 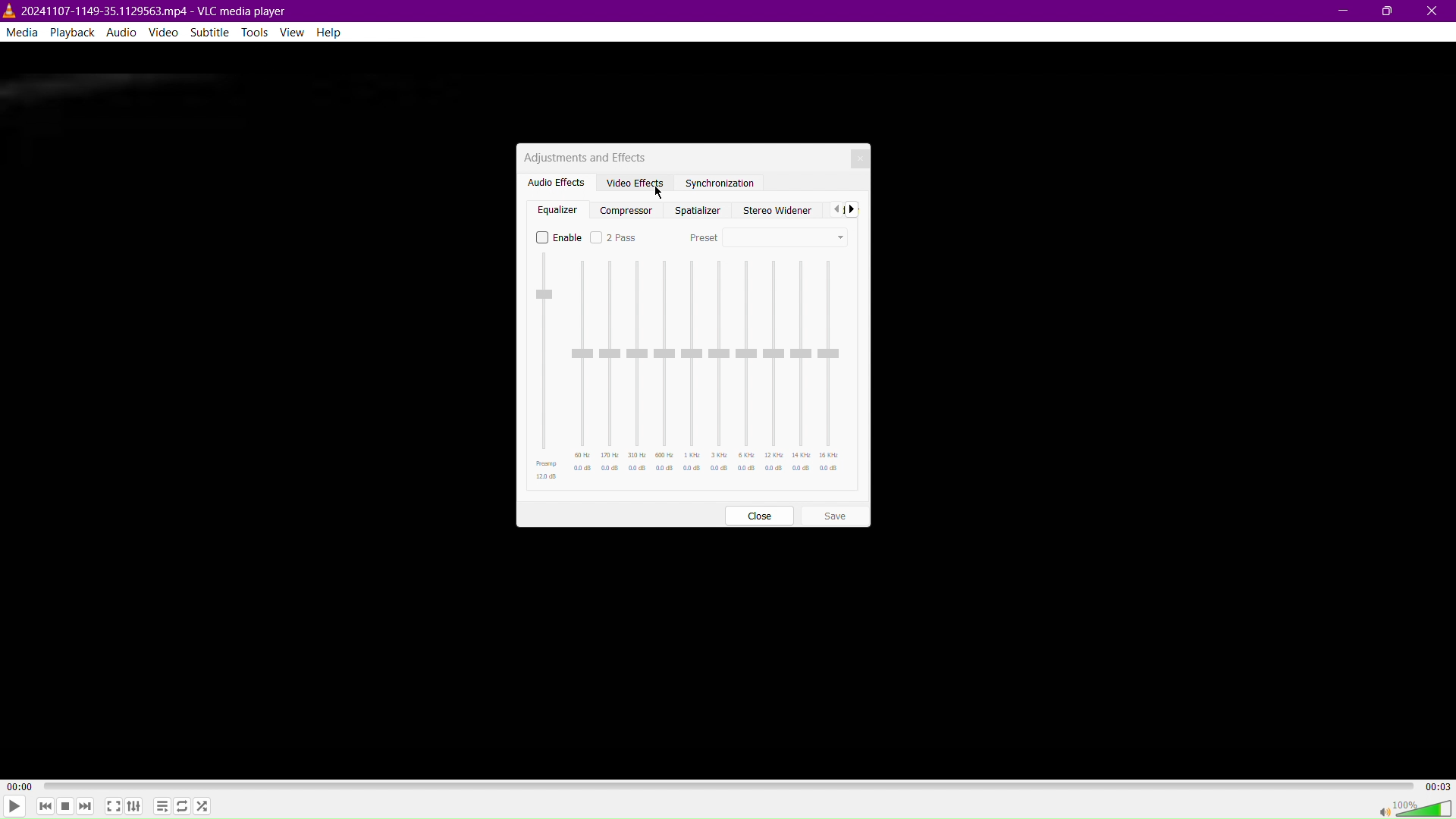 What do you see at coordinates (202, 805) in the screenshot?
I see `Random` at bounding box center [202, 805].